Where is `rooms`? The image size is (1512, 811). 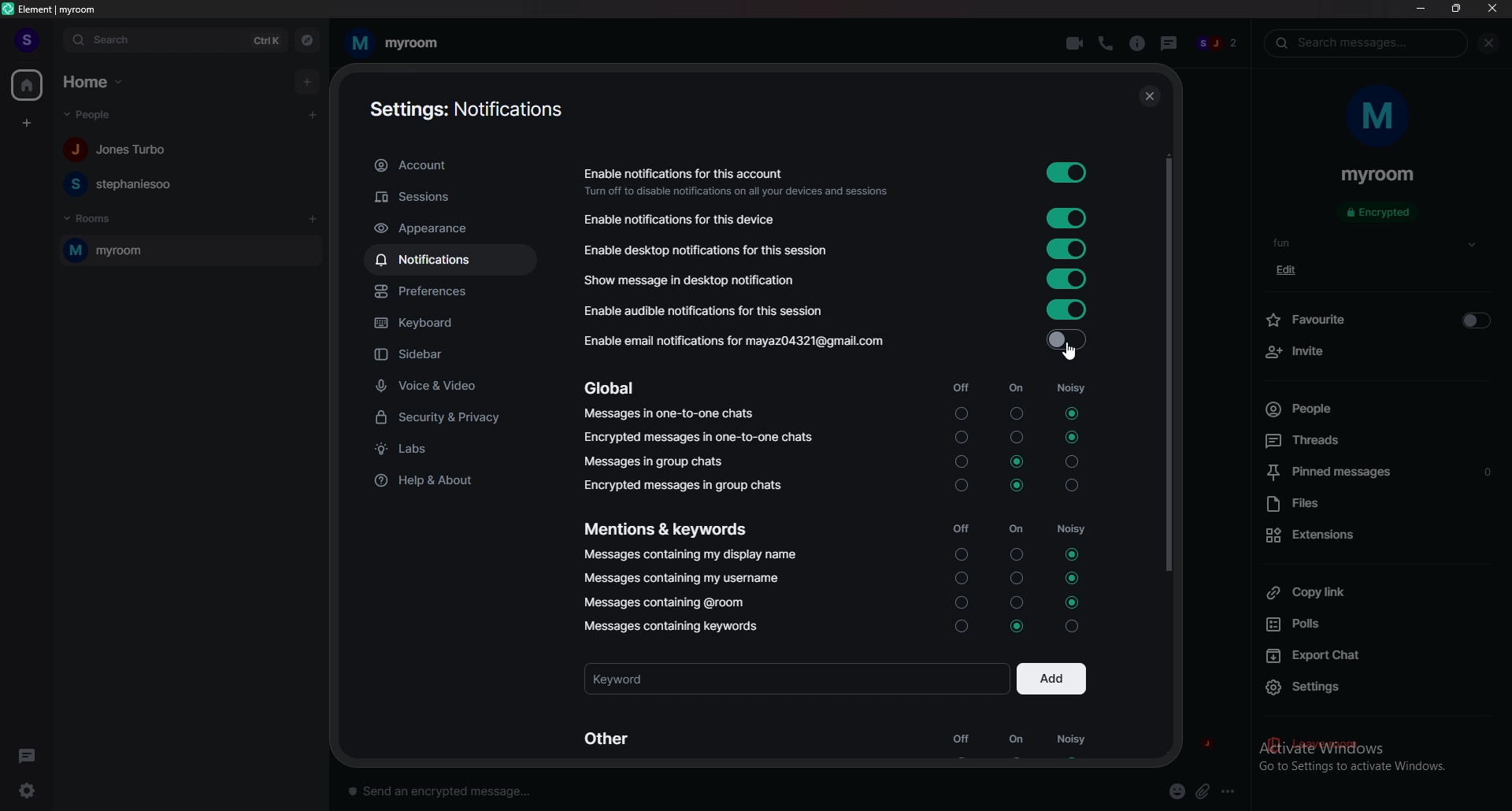
rooms is located at coordinates (92, 219).